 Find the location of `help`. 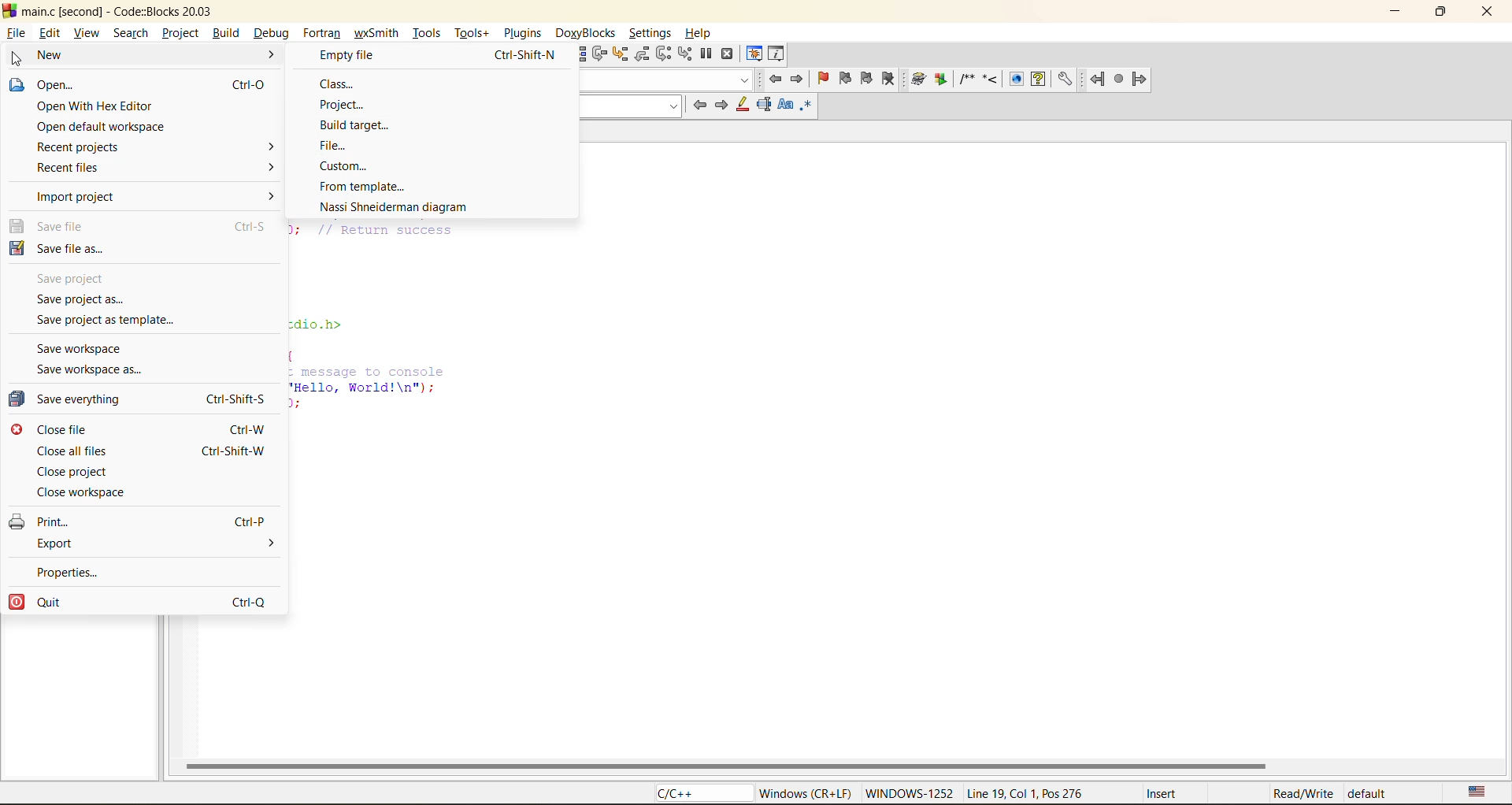

help is located at coordinates (695, 34).